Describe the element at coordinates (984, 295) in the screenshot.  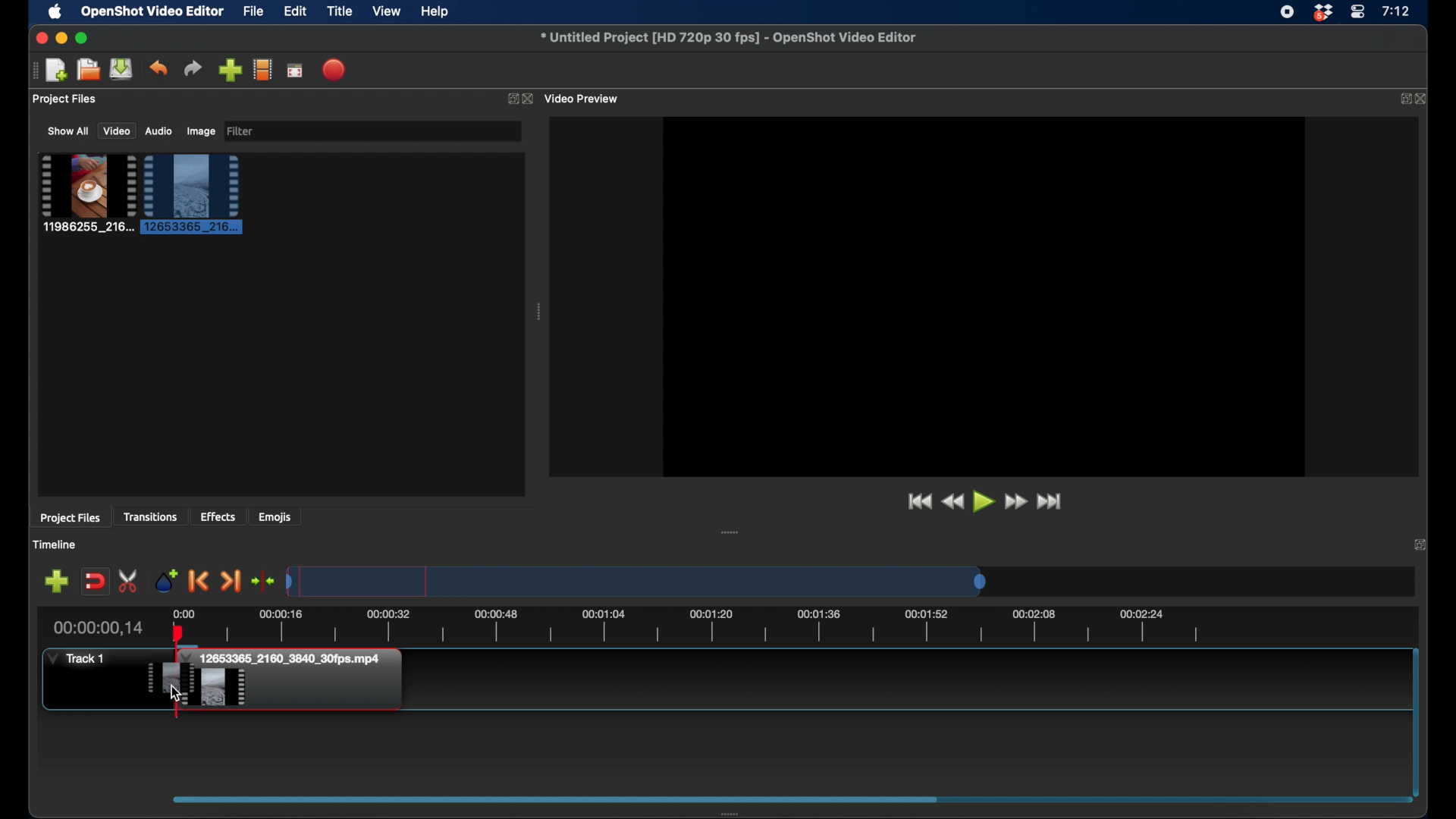
I see `video preview` at that location.